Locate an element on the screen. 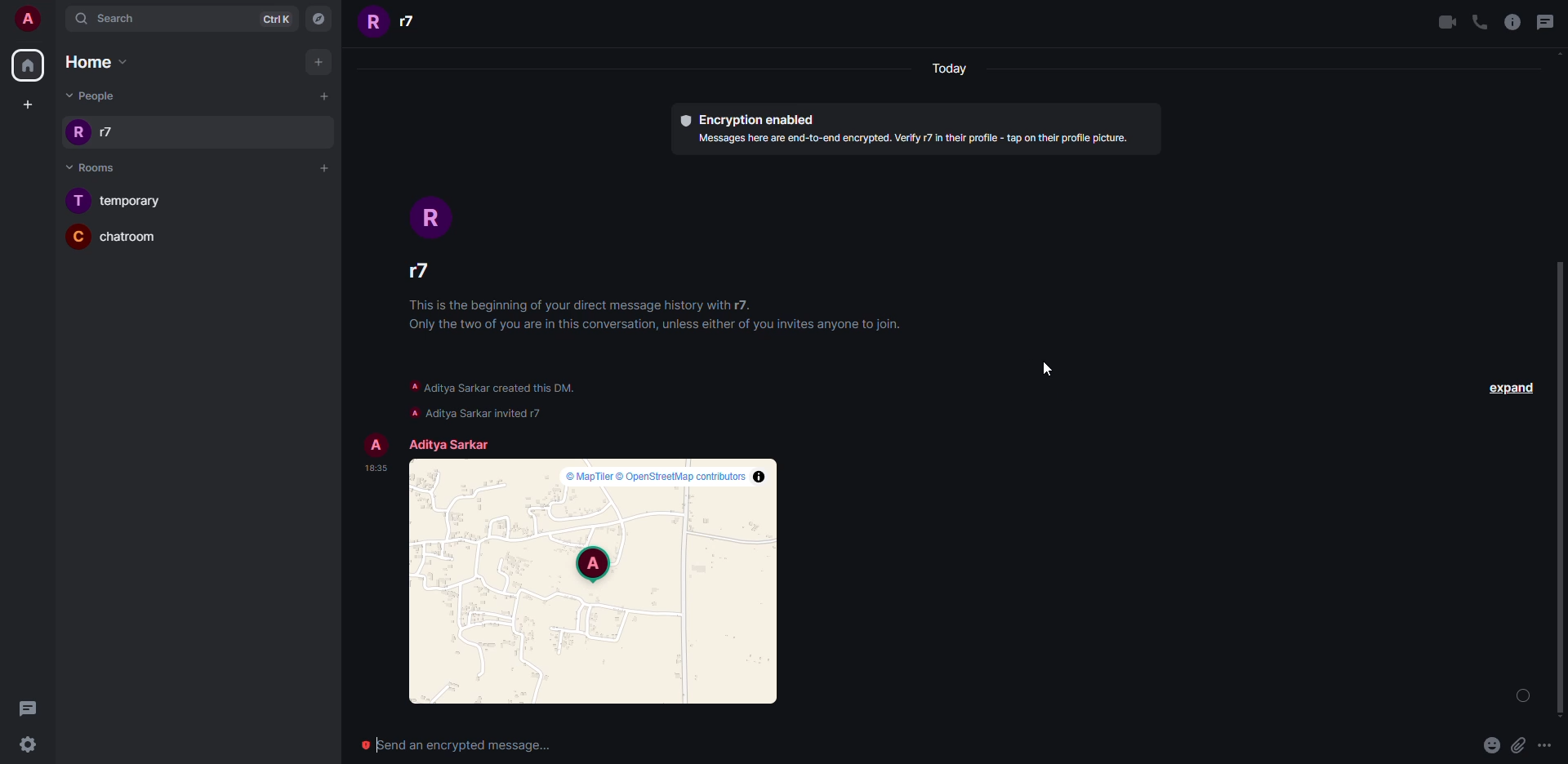  Icon is located at coordinates (78, 133).